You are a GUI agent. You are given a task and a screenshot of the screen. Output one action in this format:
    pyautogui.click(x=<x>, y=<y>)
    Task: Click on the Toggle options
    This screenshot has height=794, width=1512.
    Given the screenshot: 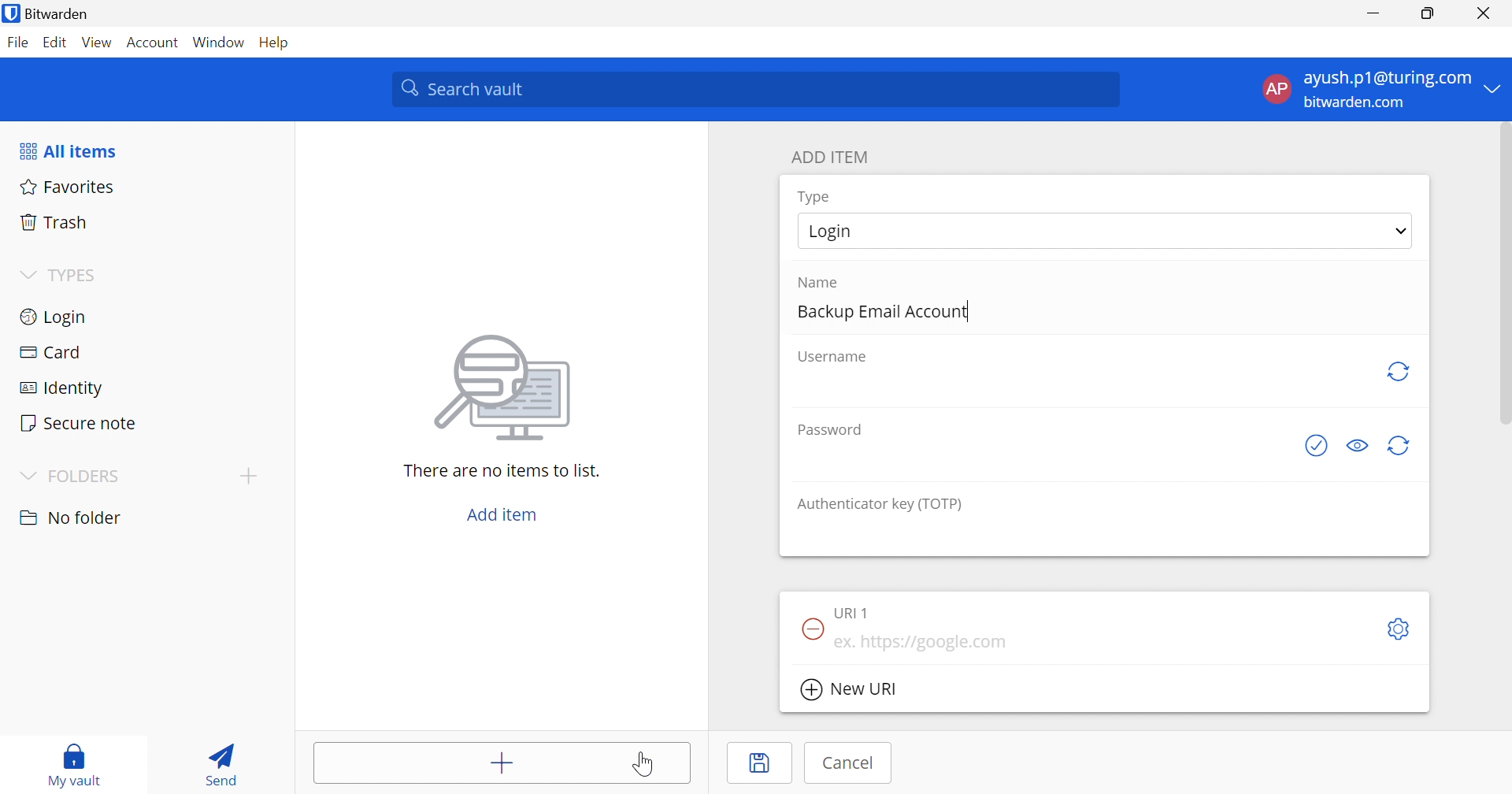 What is the action you would take?
    pyautogui.click(x=1401, y=630)
    